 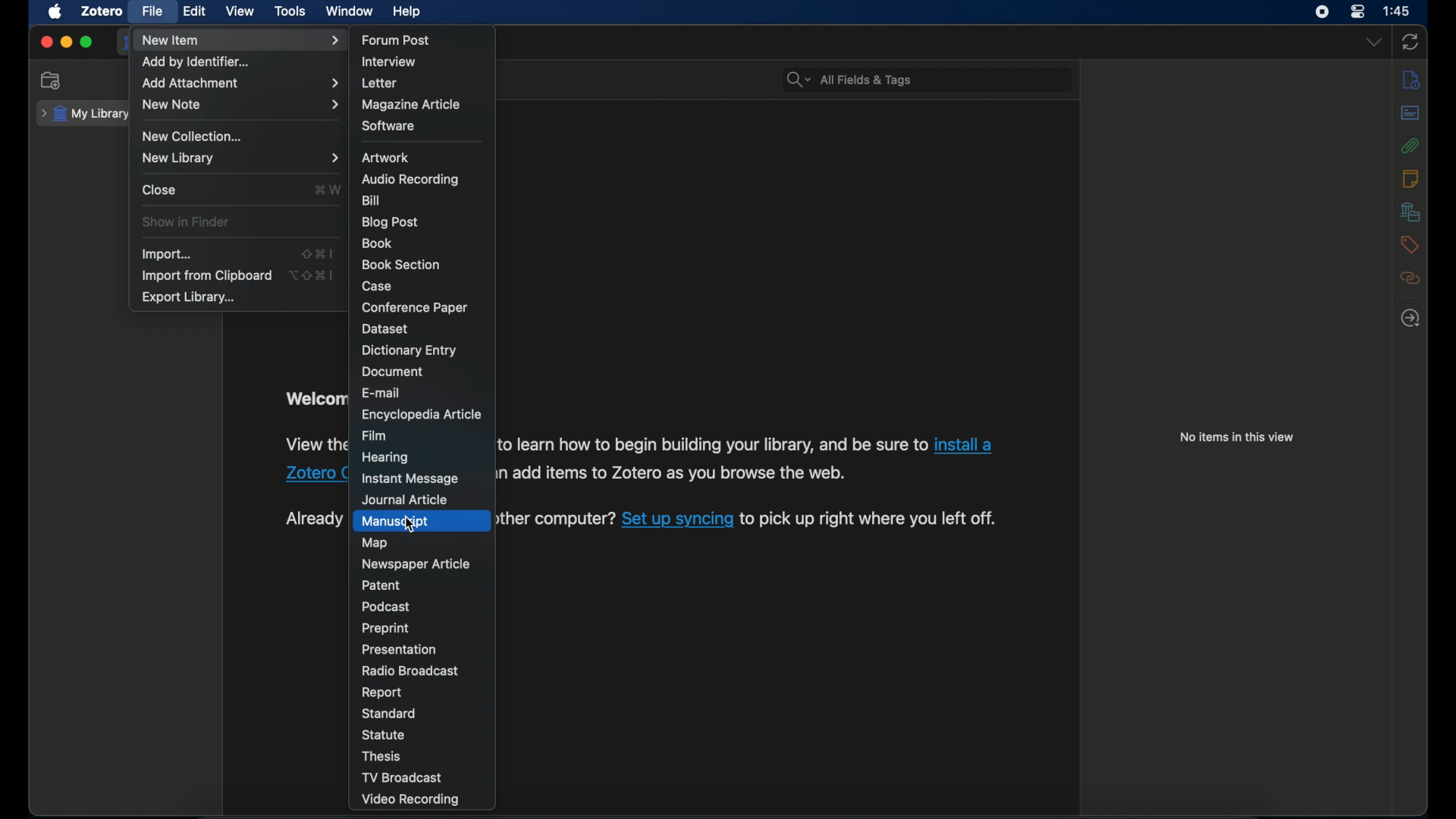 I want to click on maximize, so click(x=86, y=42).